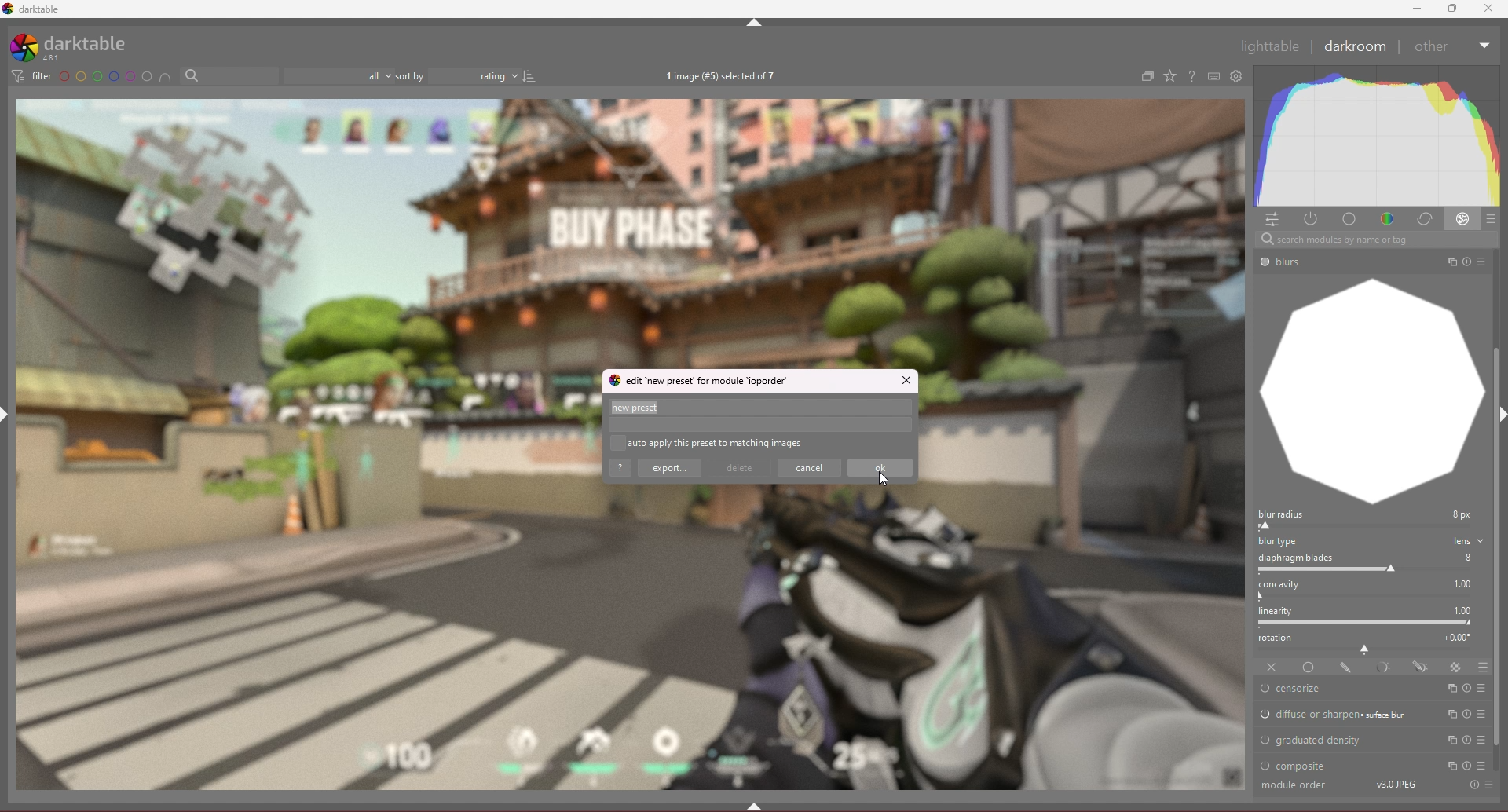 The width and height of the screenshot is (1508, 812). Describe the element at coordinates (1271, 220) in the screenshot. I see `quick access panel` at that location.